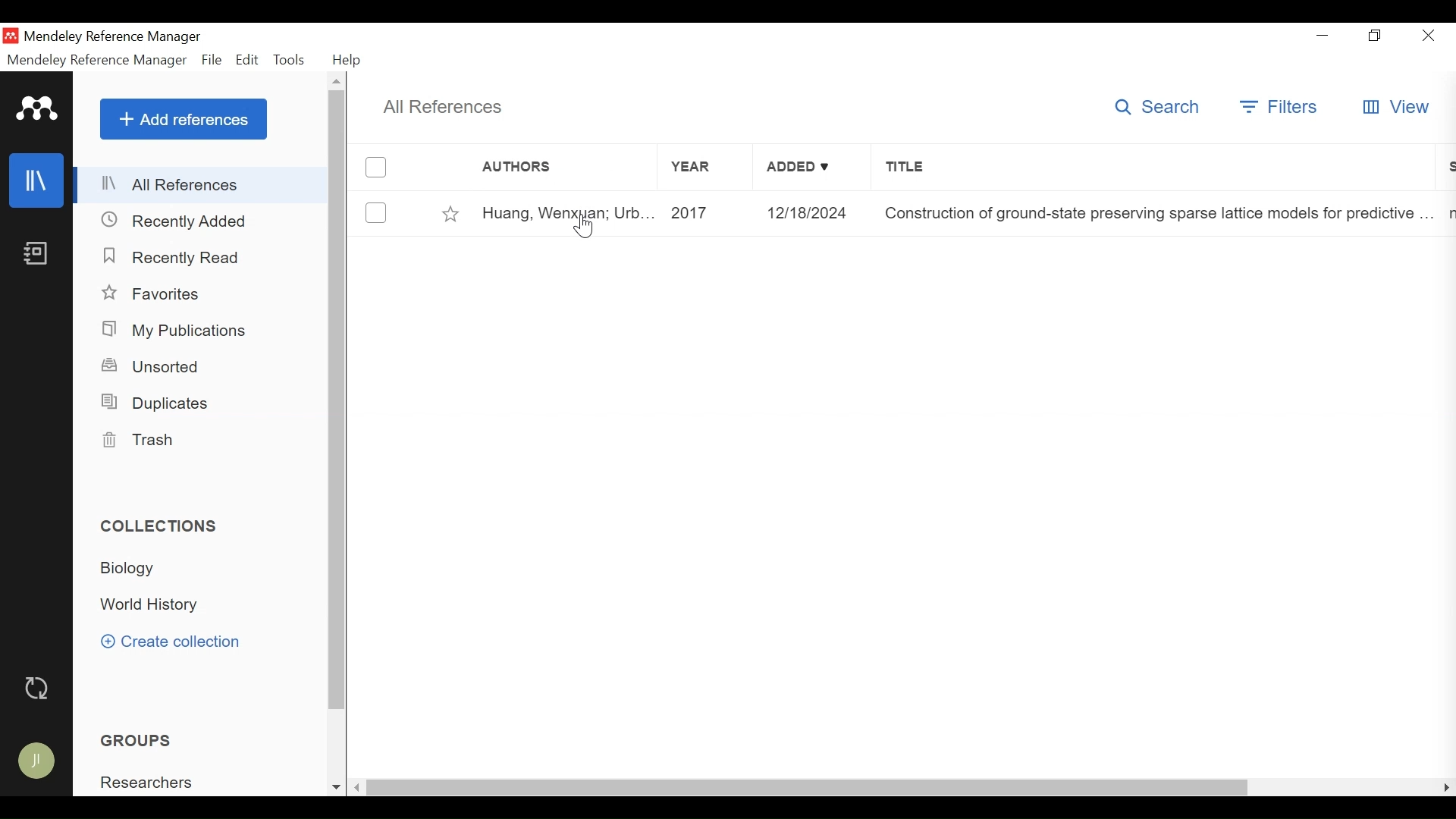 Image resolution: width=1456 pixels, height=819 pixels. I want to click on Close, so click(1428, 35).